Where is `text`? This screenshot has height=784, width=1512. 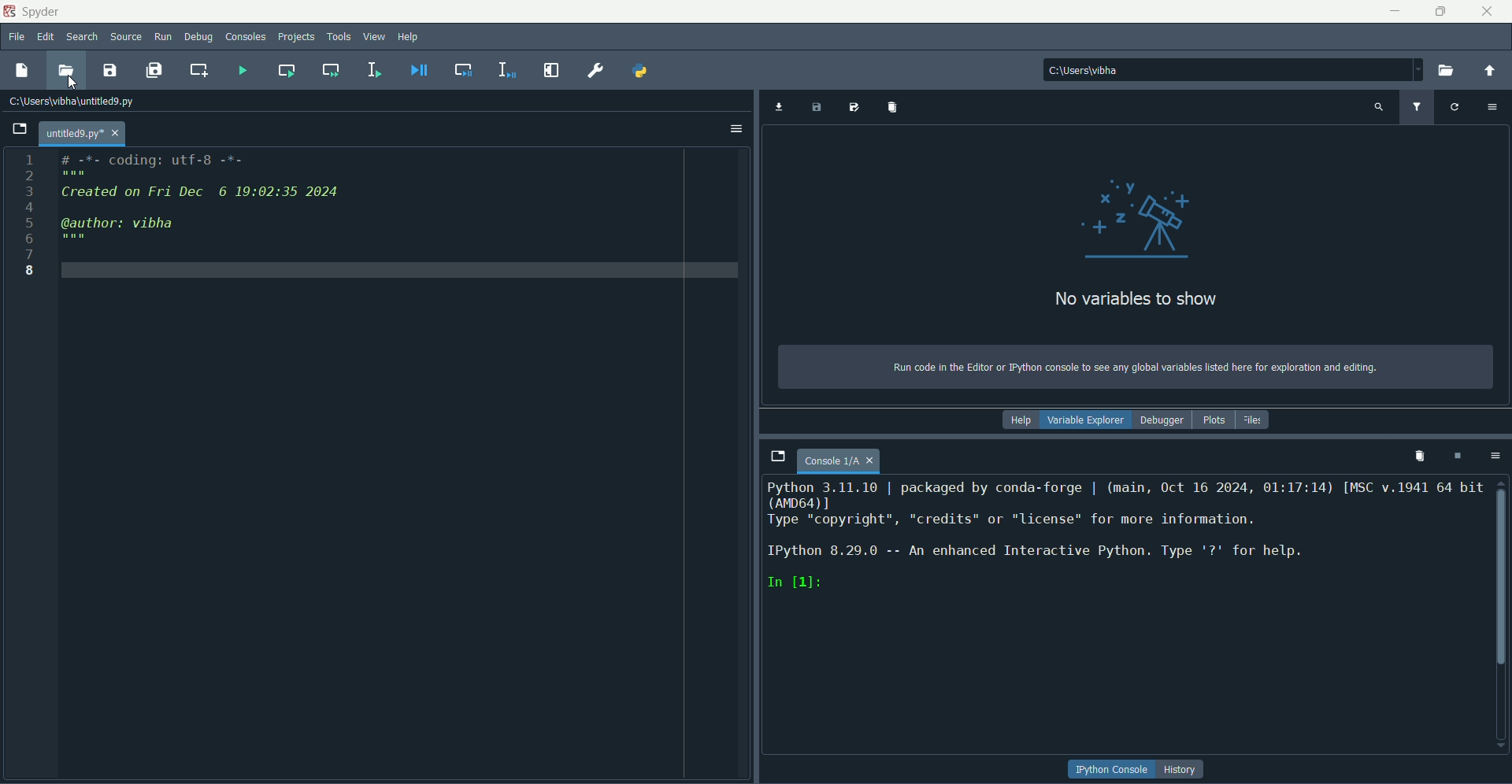
text is located at coordinates (1138, 301).